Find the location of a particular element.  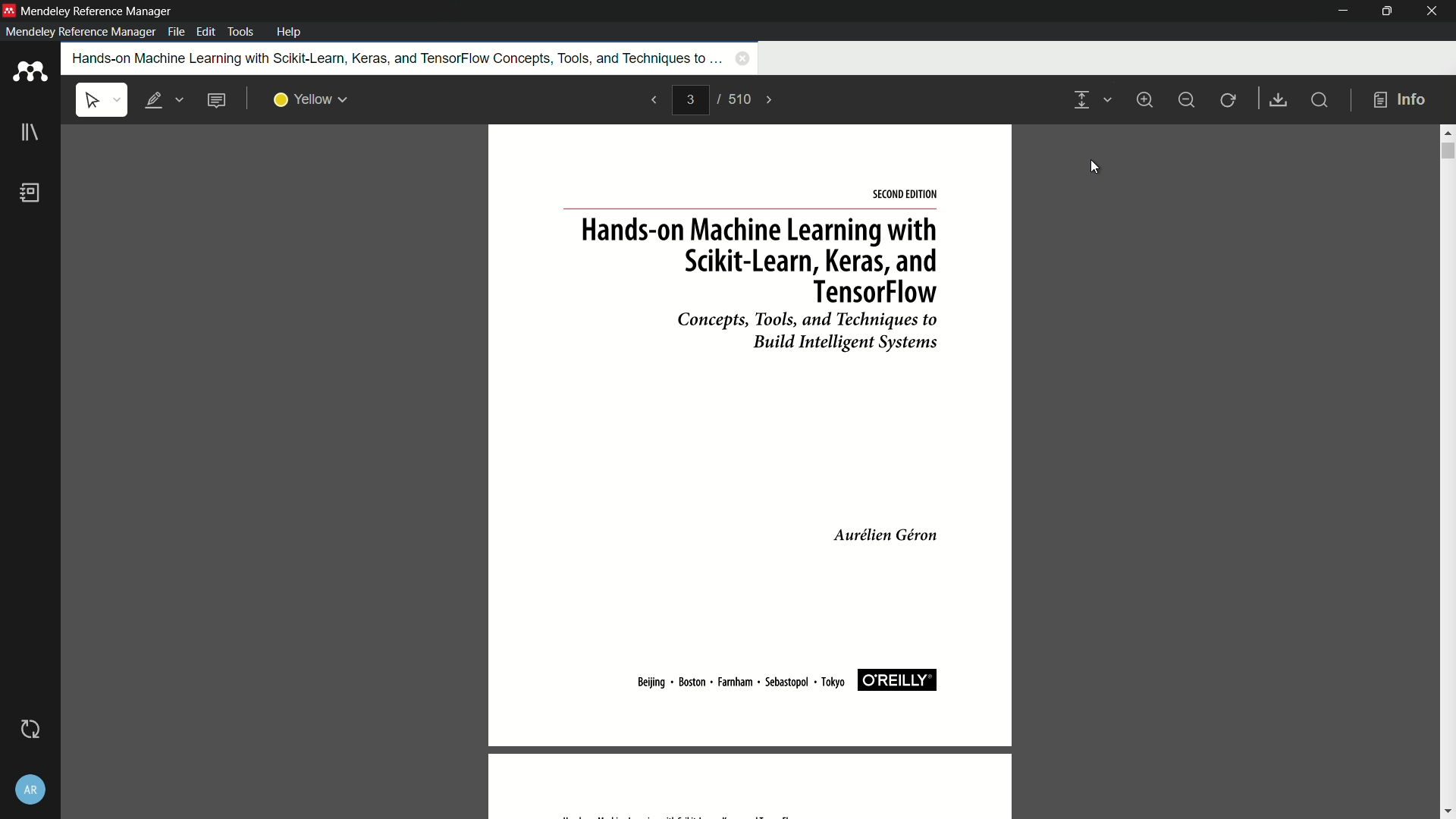

select is located at coordinates (102, 100).